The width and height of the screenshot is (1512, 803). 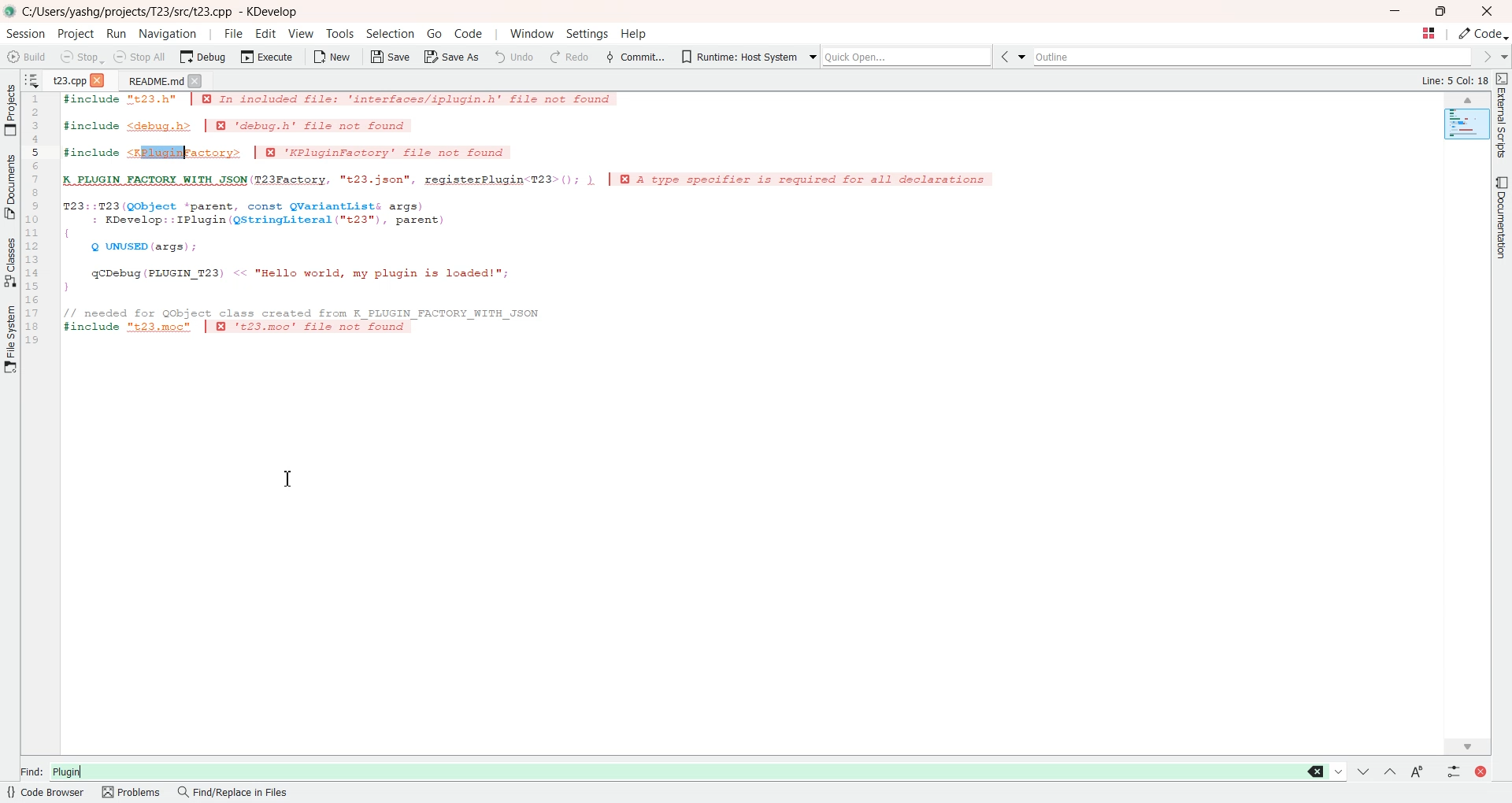 I want to click on External Script, so click(x=1503, y=117).